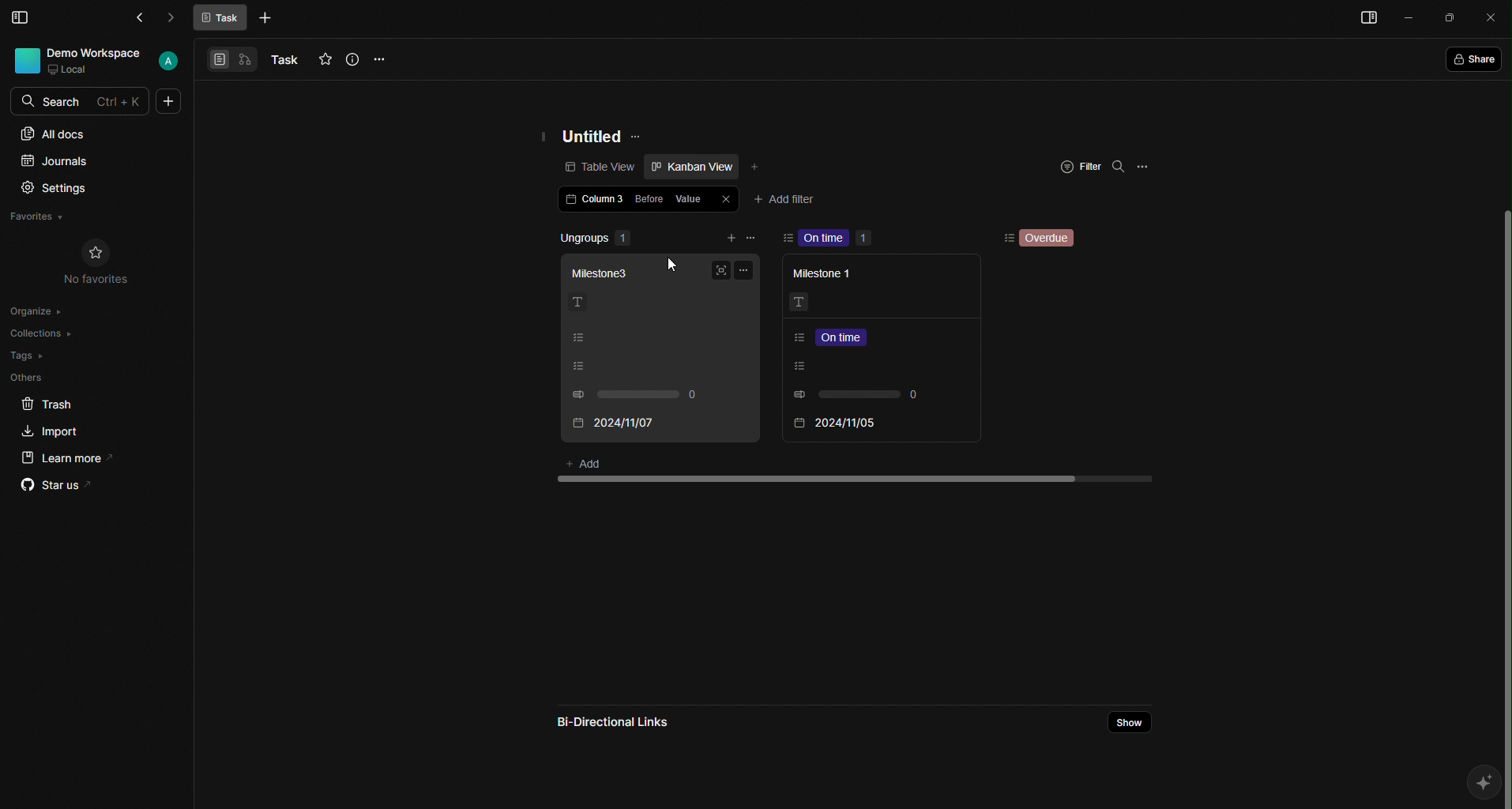 This screenshot has height=809, width=1512. What do you see at coordinates (73, 457) in the screenshot?
I see `Learn more` at bounding box center [73, 457].